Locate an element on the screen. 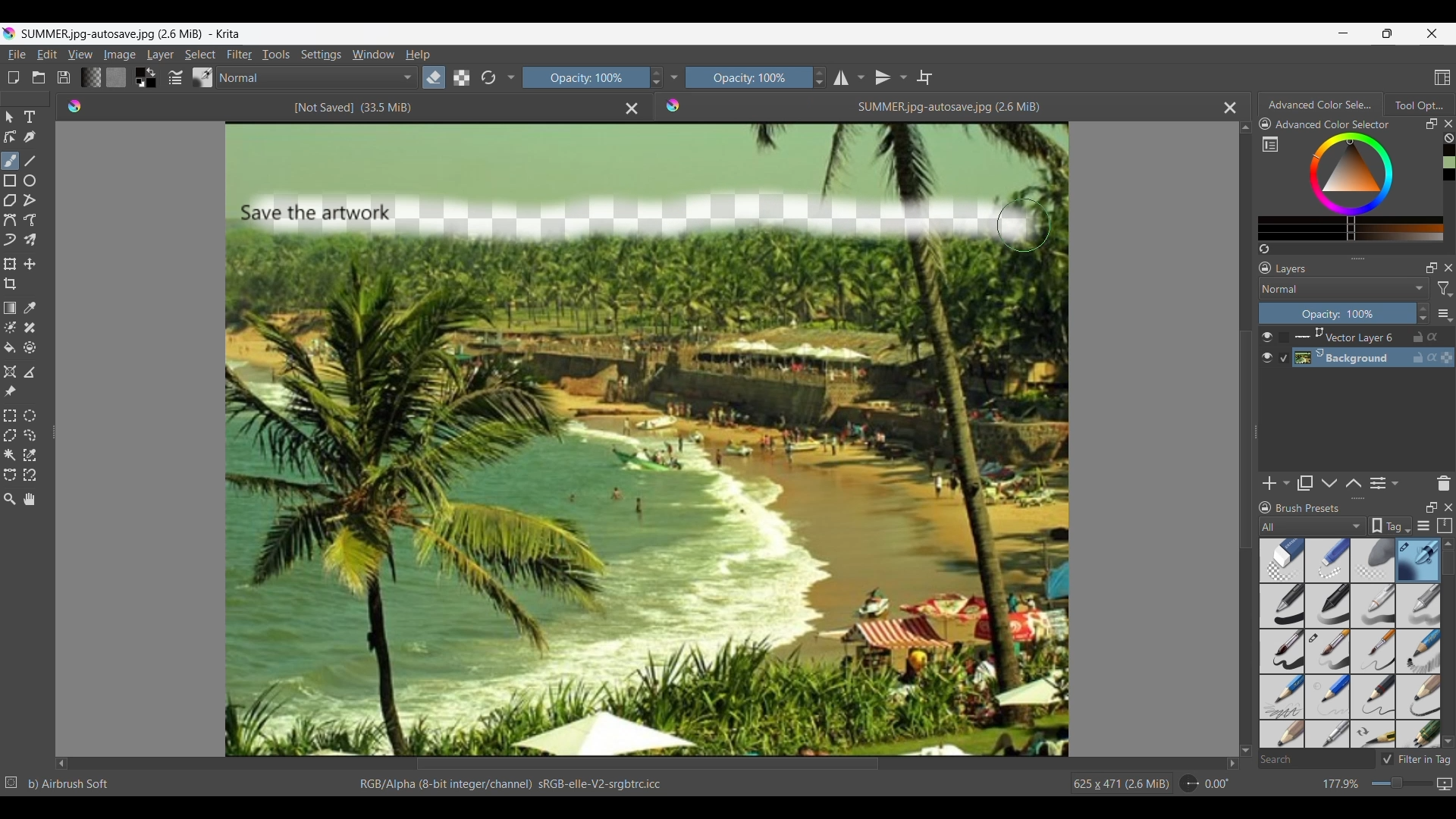 The height and width of the screenshot is (819, 1456). Sample color from current layer is located at coordinates (30, 309).